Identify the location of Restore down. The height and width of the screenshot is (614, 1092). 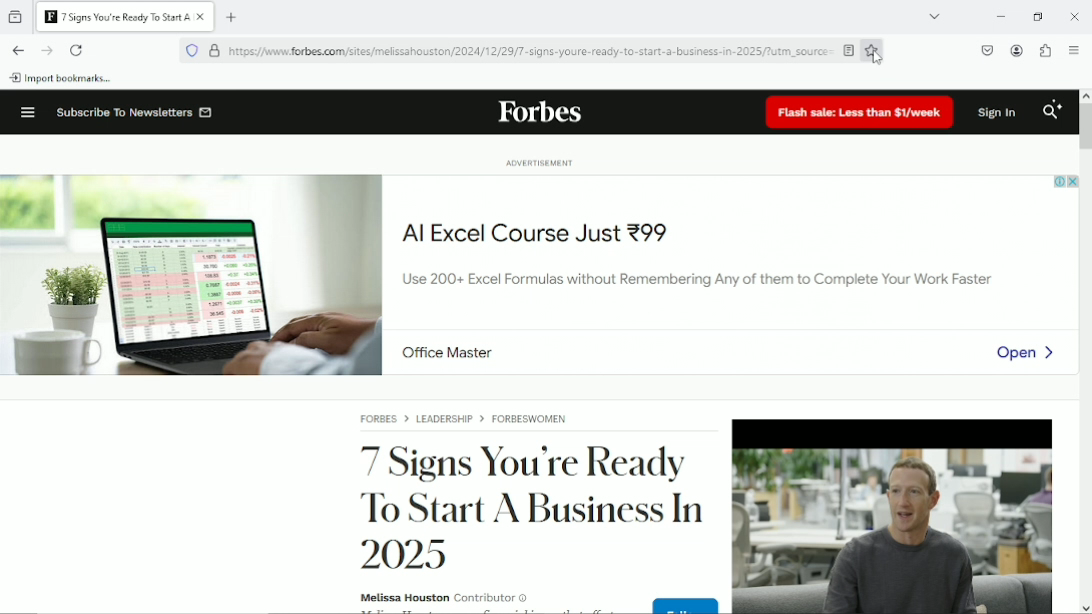
(1036, 16).